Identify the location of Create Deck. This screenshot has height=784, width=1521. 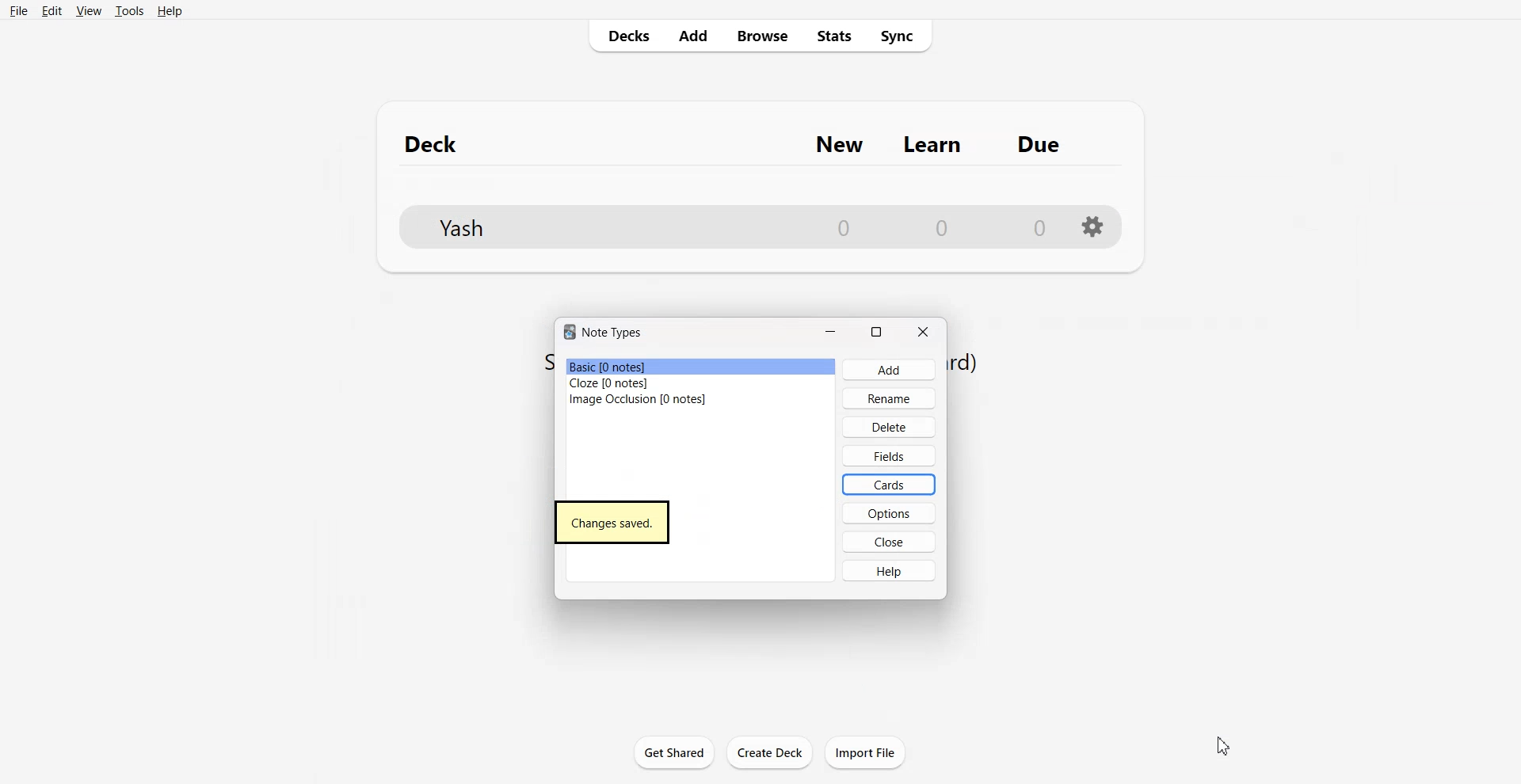
(769, 752).